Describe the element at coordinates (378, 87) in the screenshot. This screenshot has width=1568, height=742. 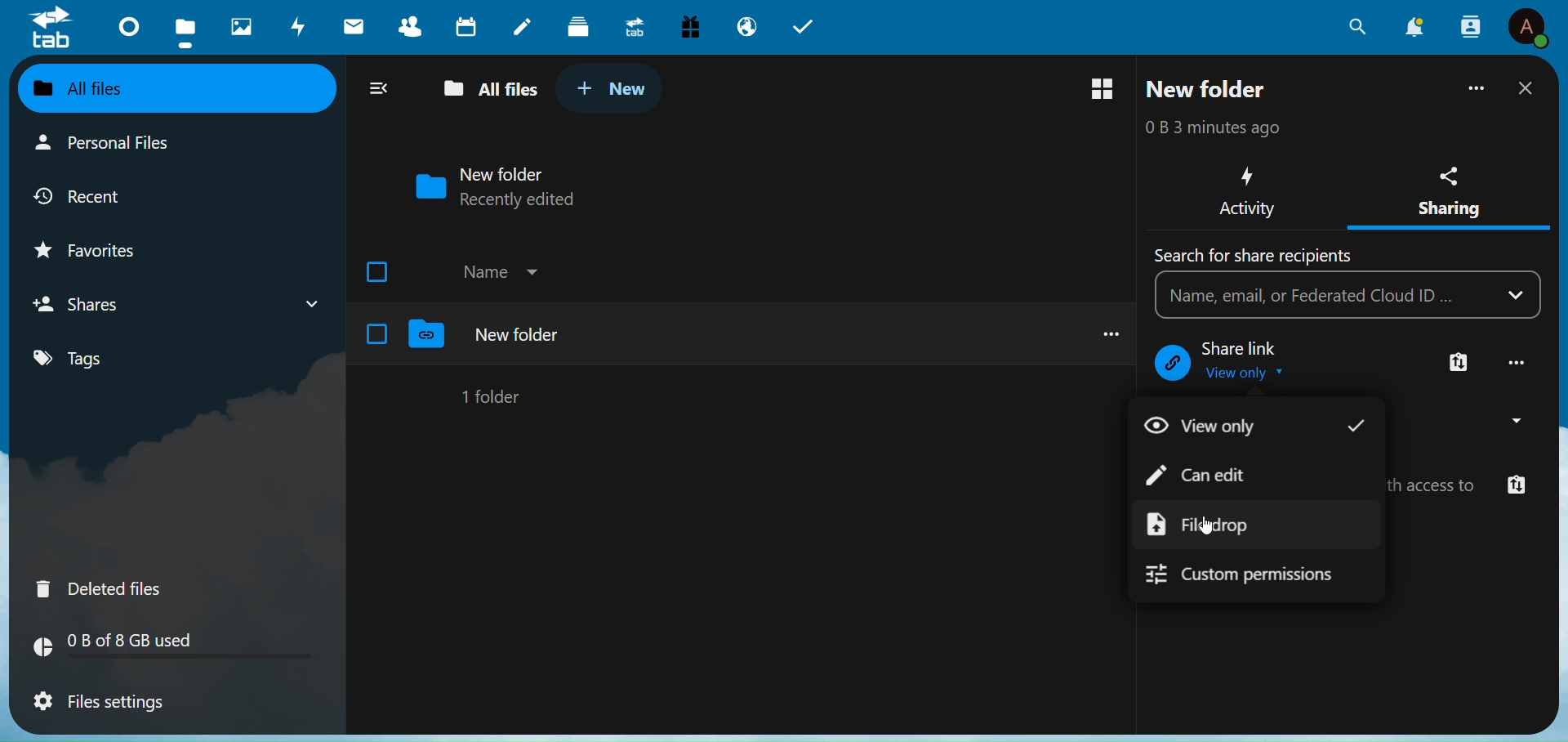
I see `Close Navigation` at that location.